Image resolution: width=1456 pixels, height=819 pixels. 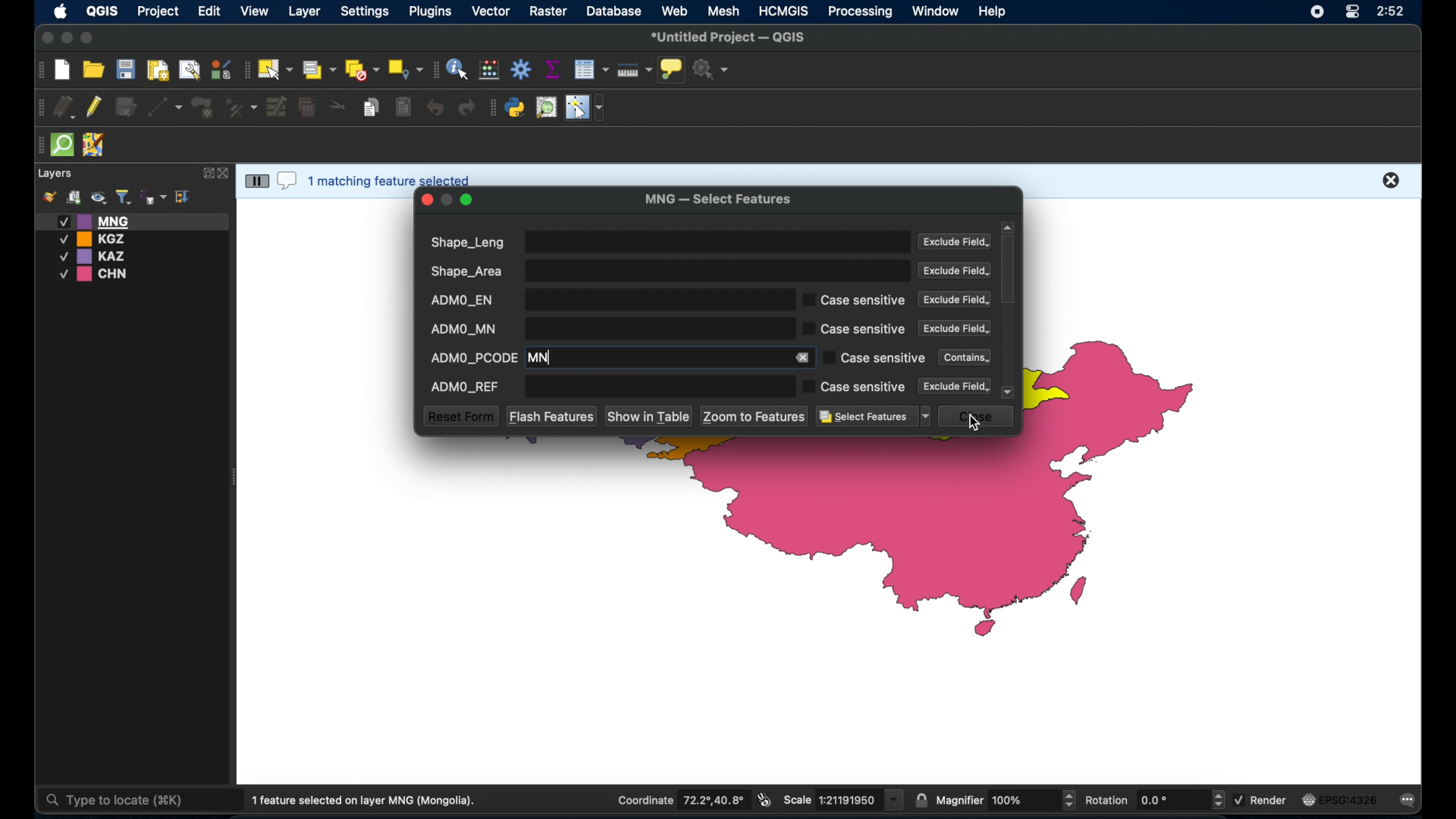 What do you see at coordinates (256, 11) in the screenshot?
I see `view` at bounding box center [256, 11].